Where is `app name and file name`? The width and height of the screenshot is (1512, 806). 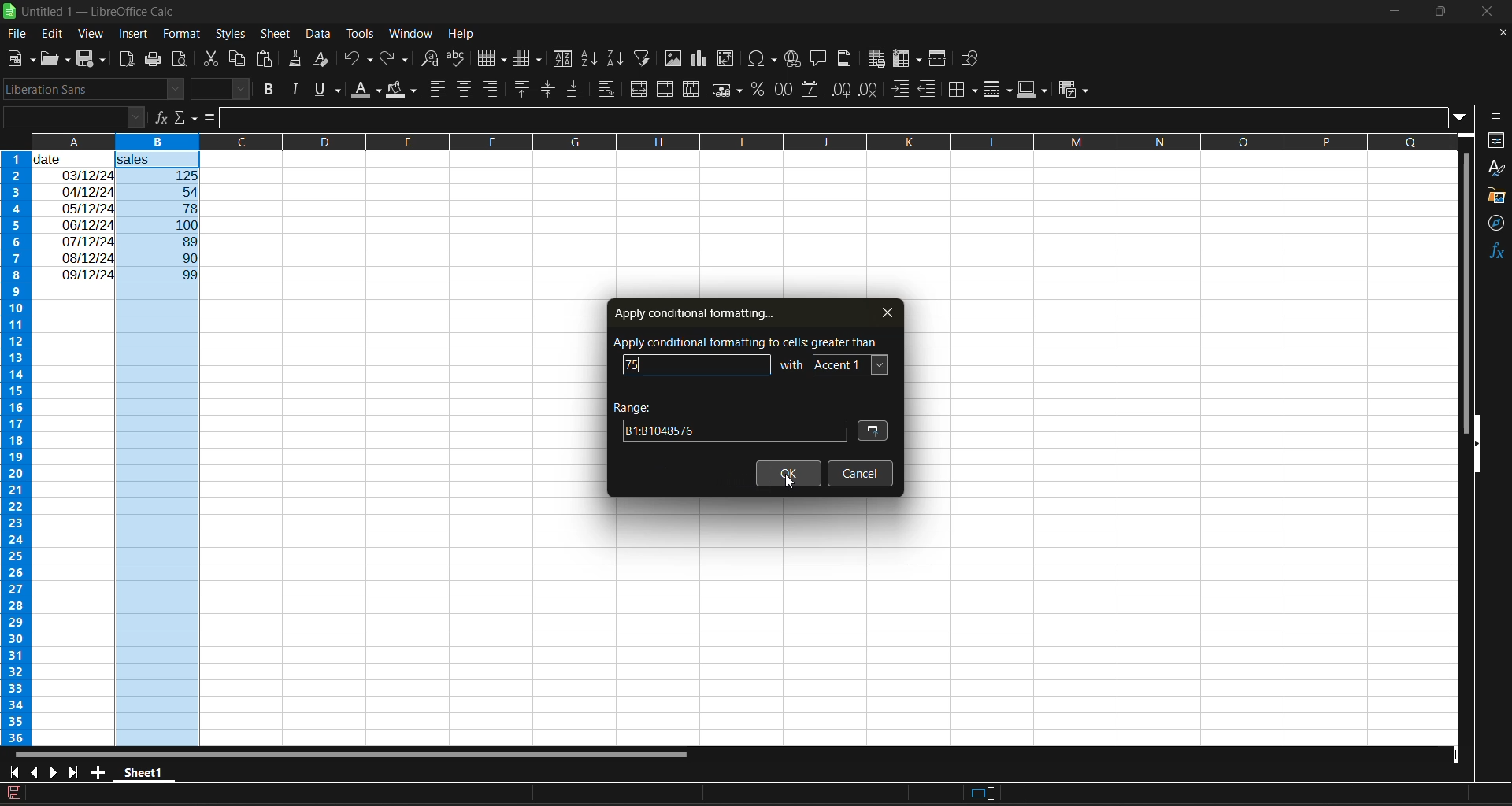 app name and file name is located at coordinates (94, 12).